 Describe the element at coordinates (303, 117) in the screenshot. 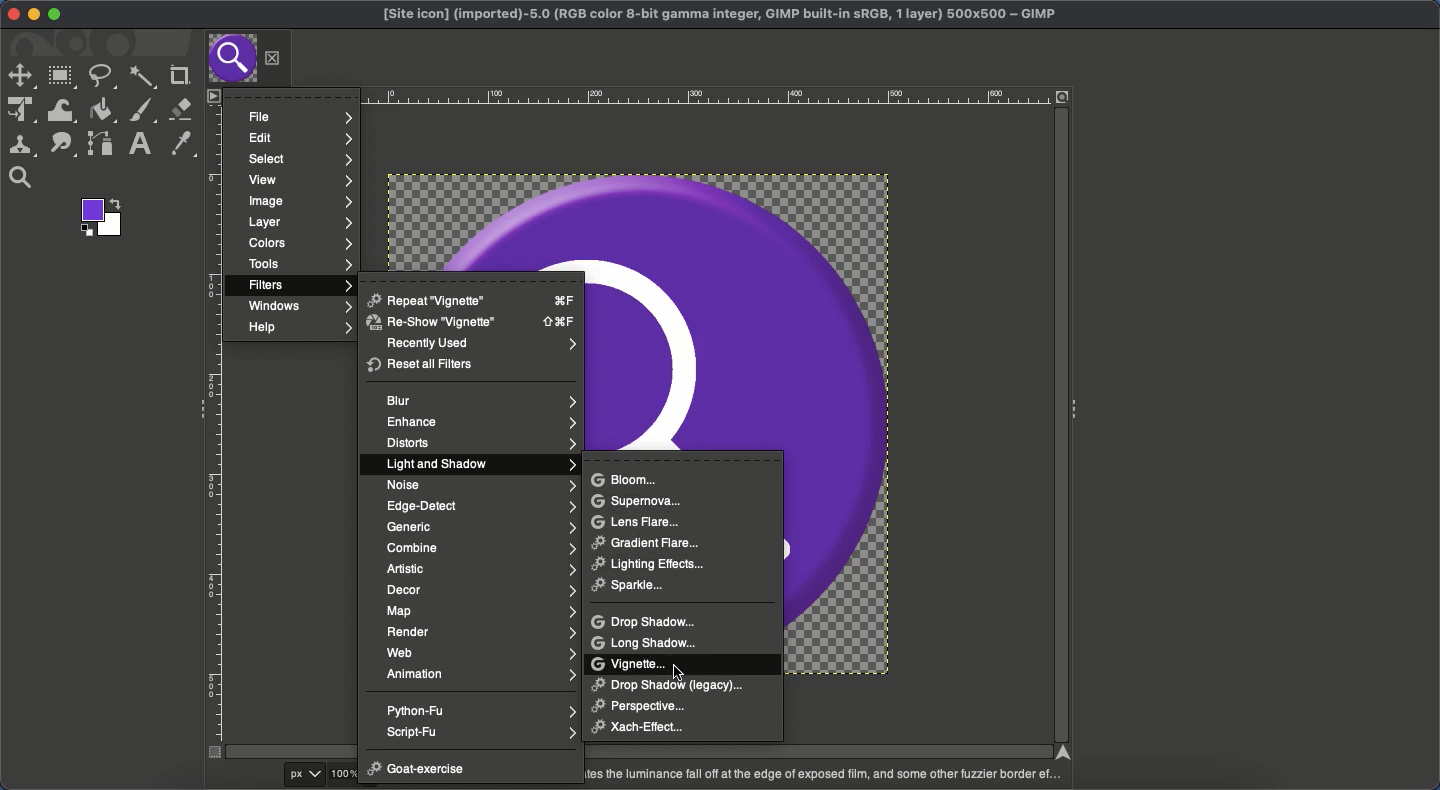

I see `File` at that location.